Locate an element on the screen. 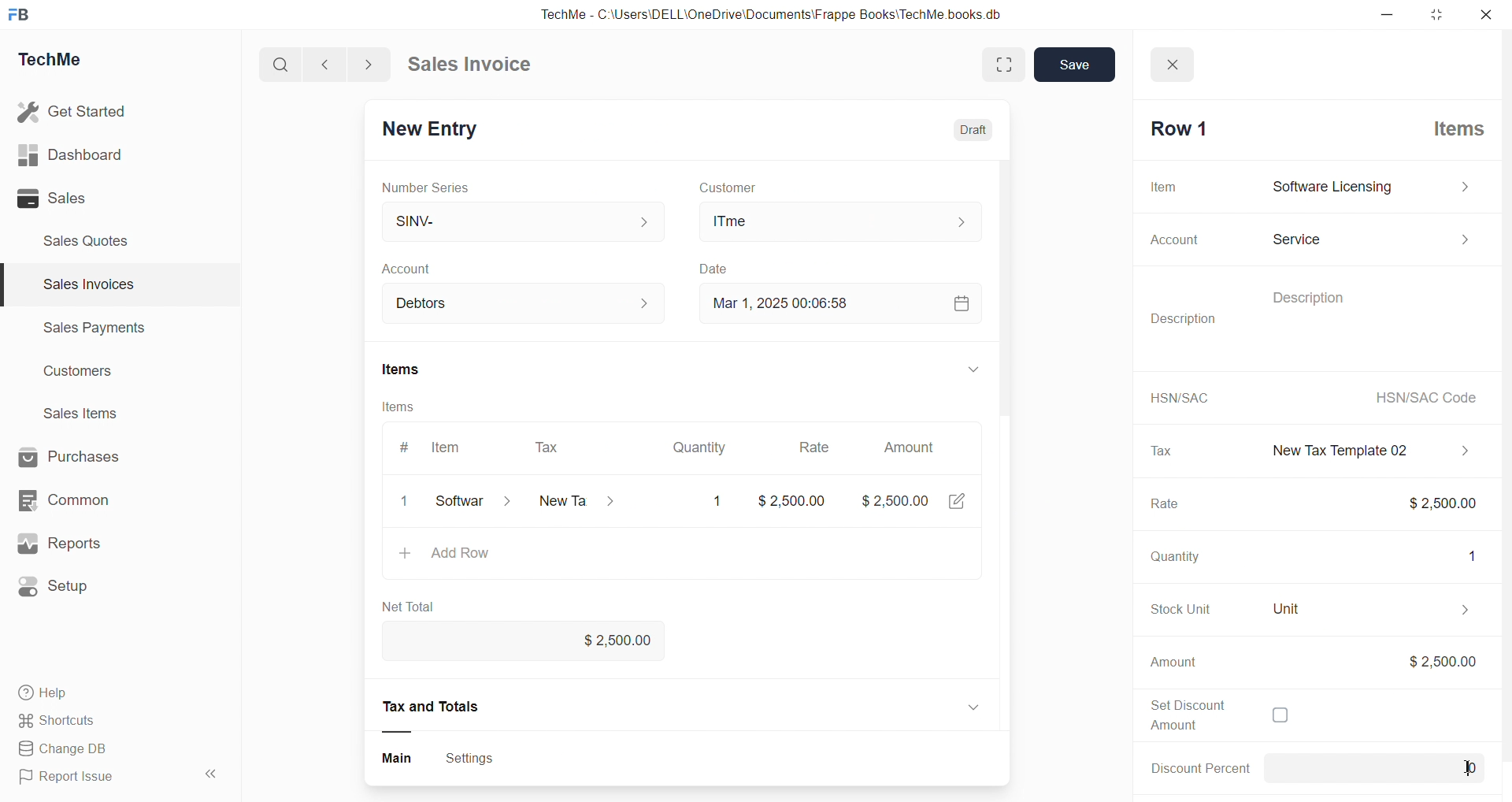  HSN/SAC Code is located at coordinates (1421, 397).